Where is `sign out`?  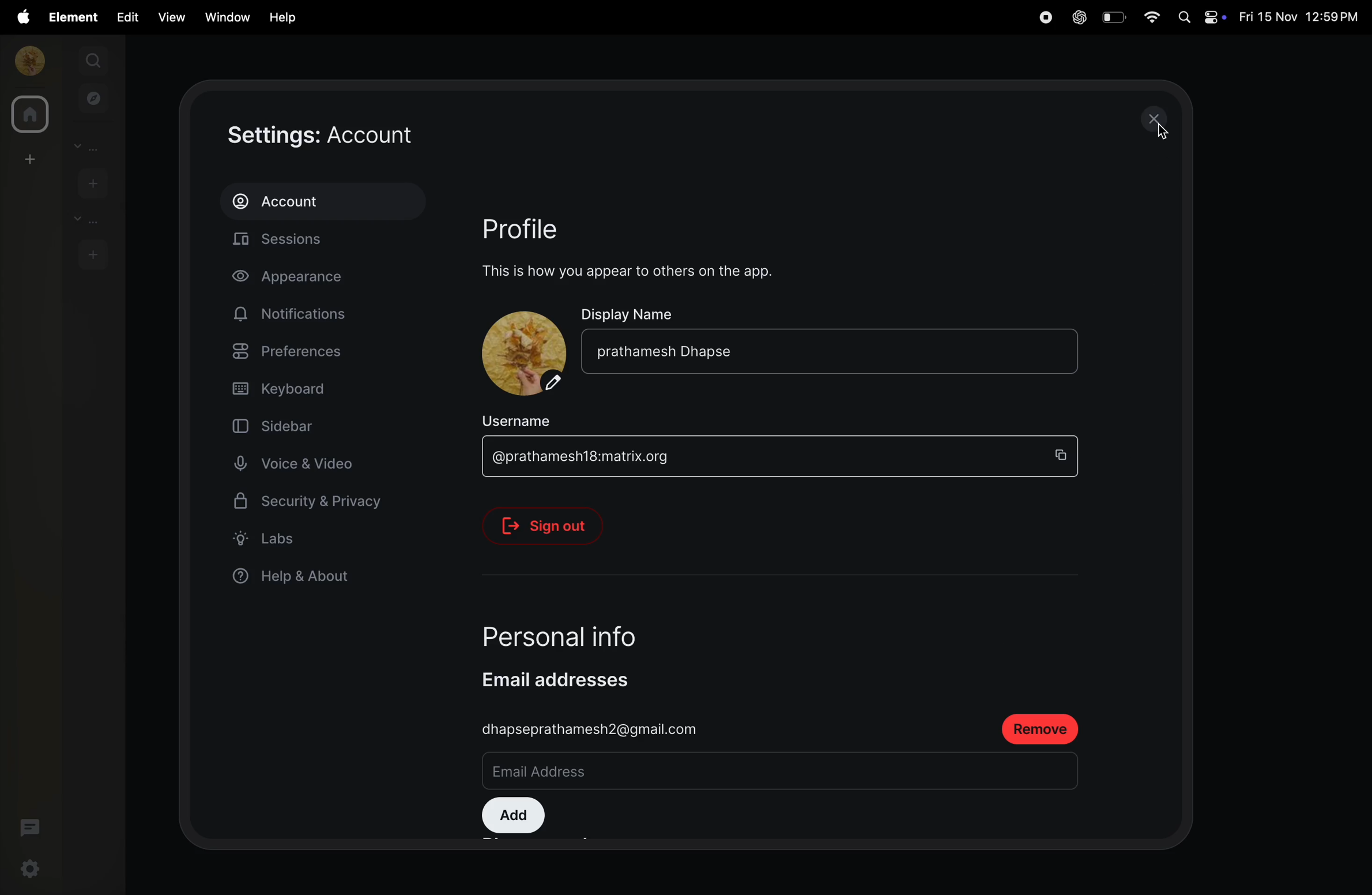 sign out is located at coordinates (552, 526).